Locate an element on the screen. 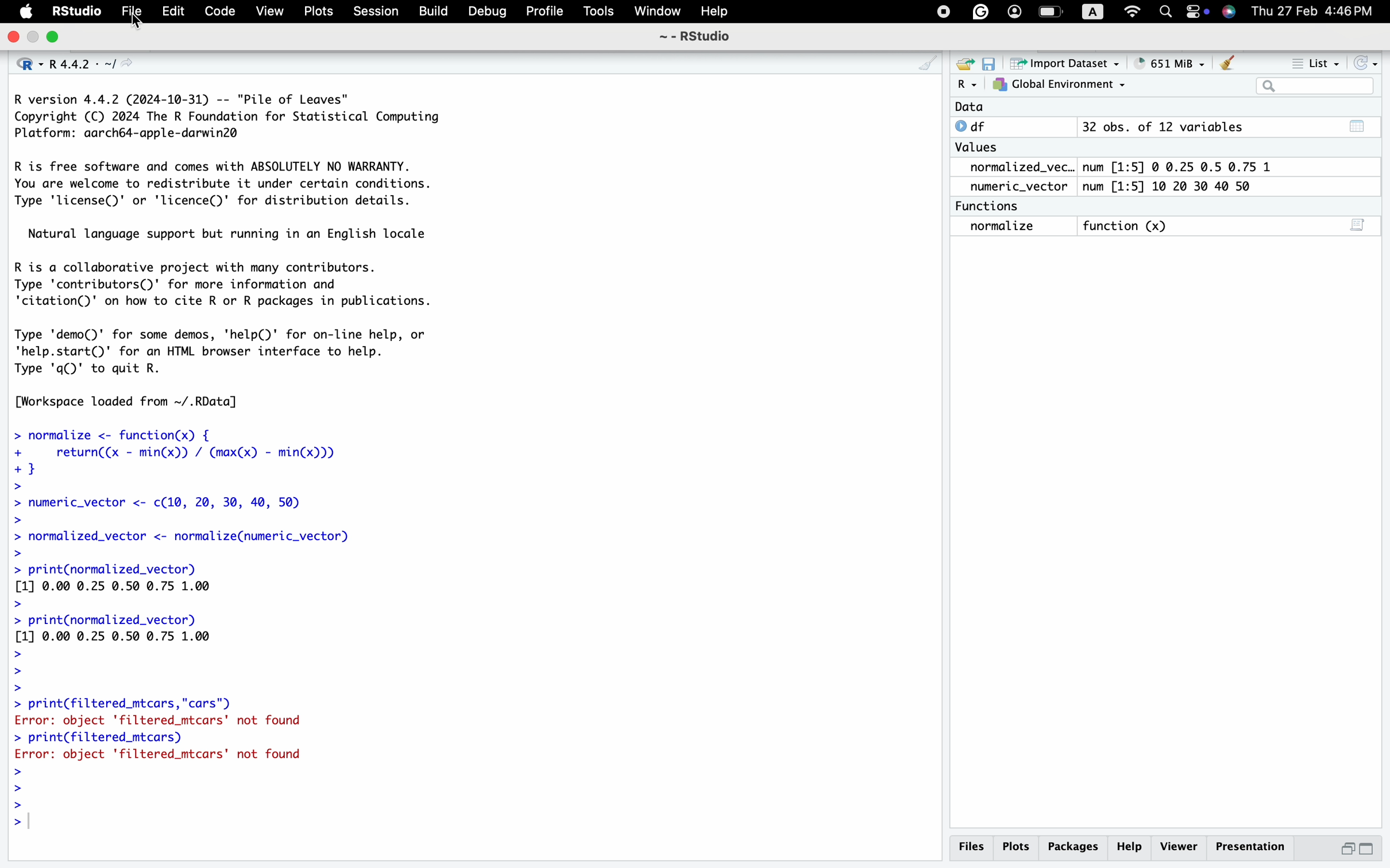  Refresh is located at coordinates (1369, 61).